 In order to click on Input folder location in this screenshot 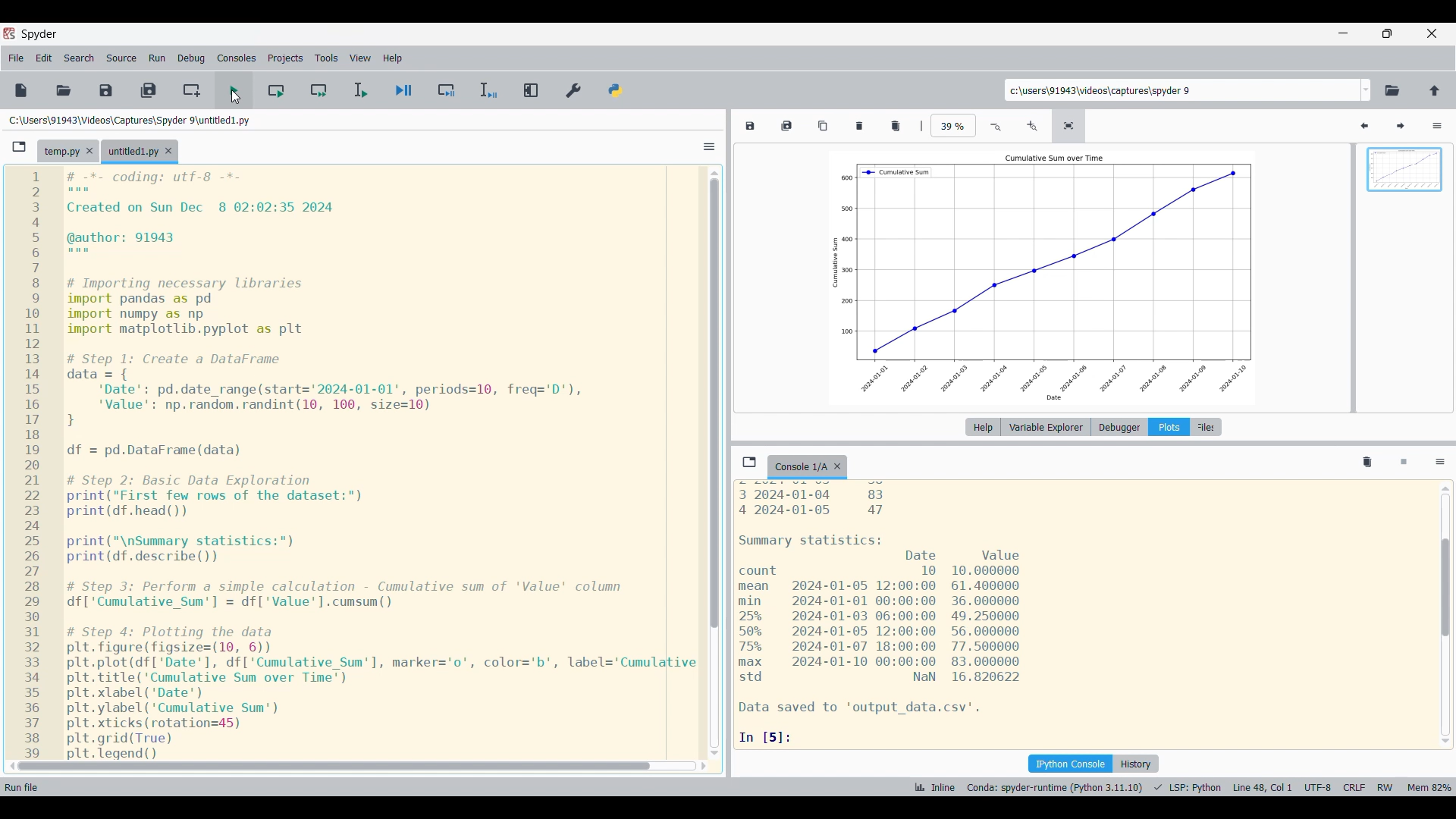, I will do `click(1181, 89)`.